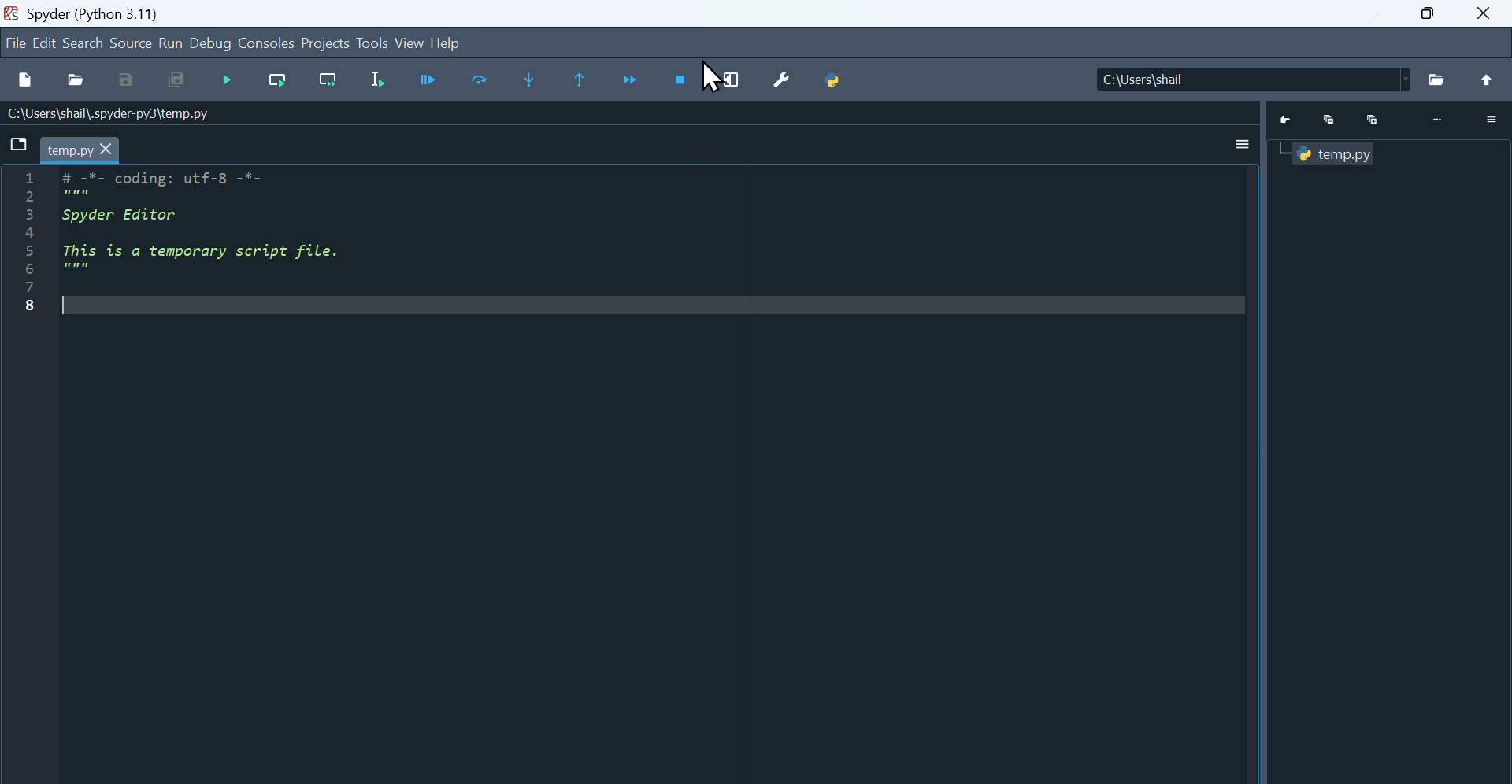 This screenshot has width=1512, height=784. What do you see at coordinates (277, 83) in the screenshot?
I see `run current line` at bounding box center [277, 83].